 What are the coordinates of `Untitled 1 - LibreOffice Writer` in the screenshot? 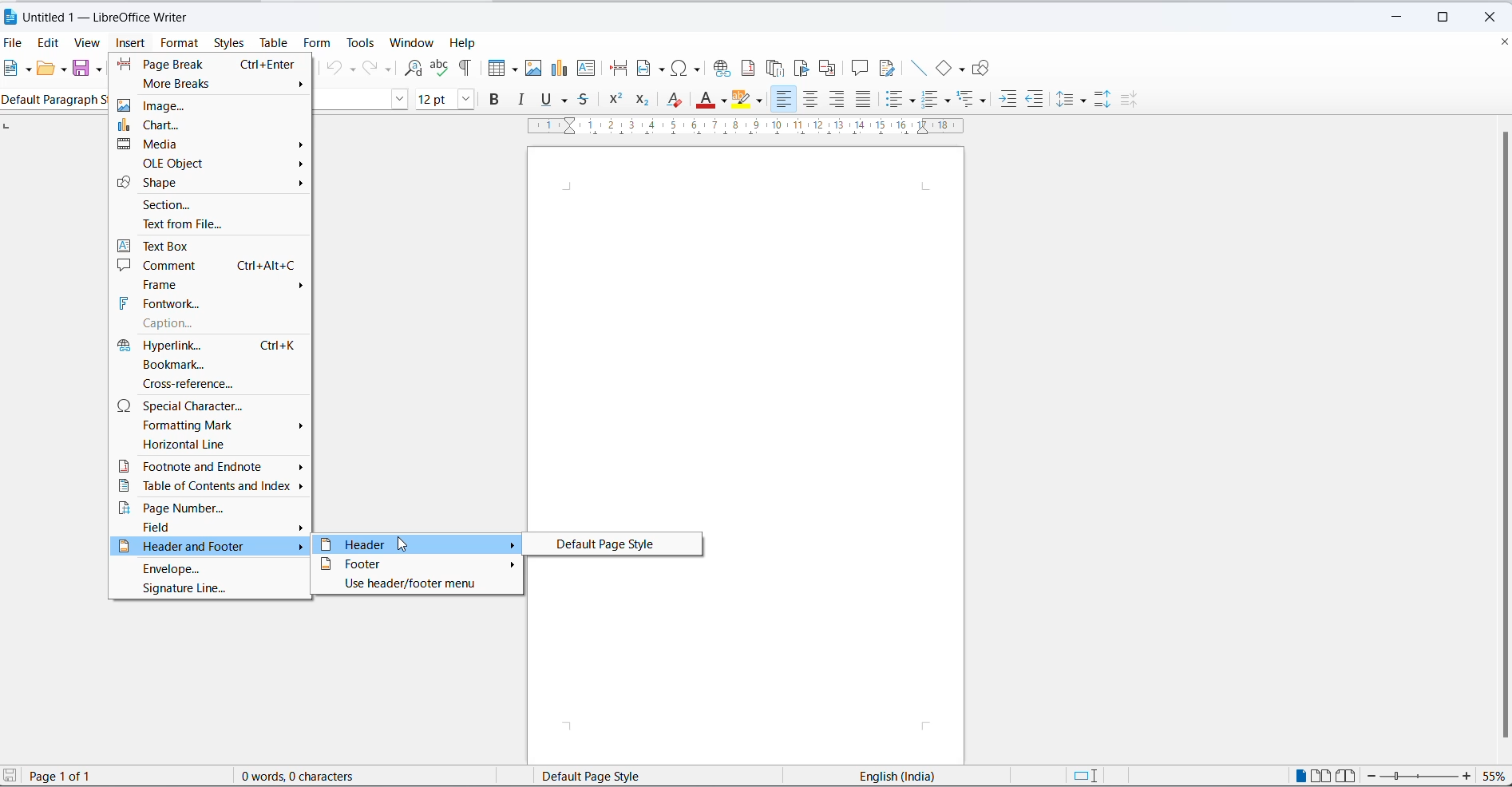 It's located at (121, 18).